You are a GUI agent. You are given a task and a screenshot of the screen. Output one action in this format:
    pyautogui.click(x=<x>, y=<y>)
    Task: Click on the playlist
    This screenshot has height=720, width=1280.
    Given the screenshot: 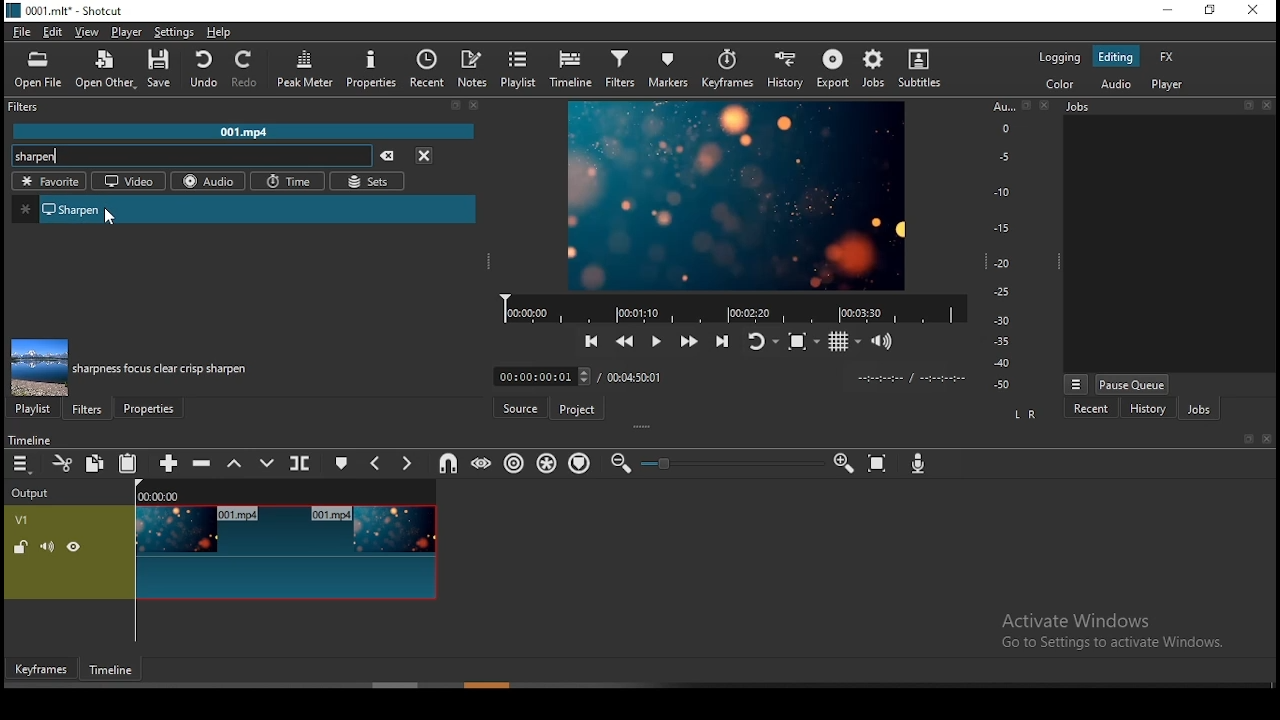 What is the action you would take?
    pyautogui.click(x=36, y=409)
    